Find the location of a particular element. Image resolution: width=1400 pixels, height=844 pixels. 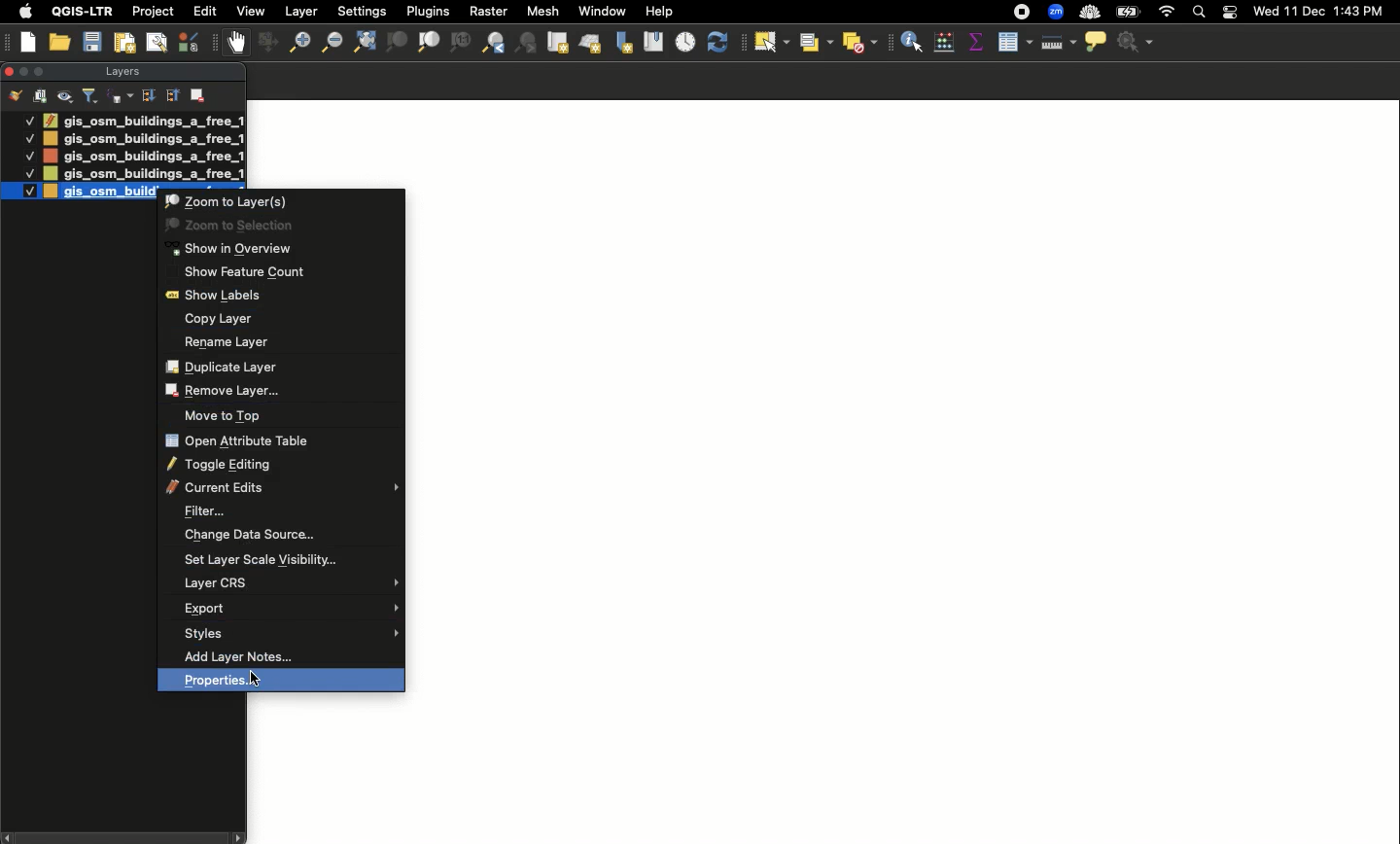

Open the layer styling panel is located at coordinates (16, 96).